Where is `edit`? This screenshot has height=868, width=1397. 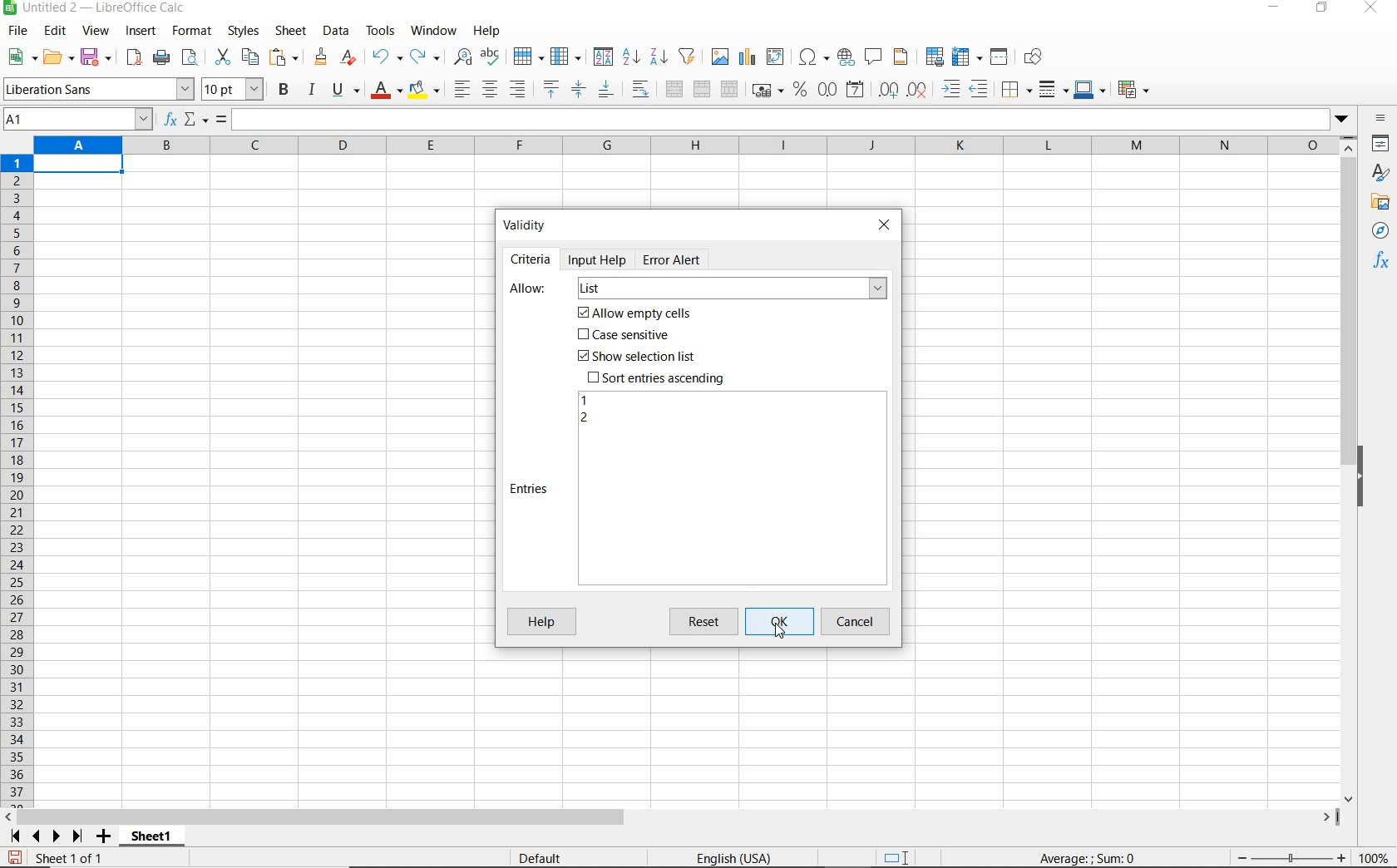
edit is located at coordinates (56, 33).